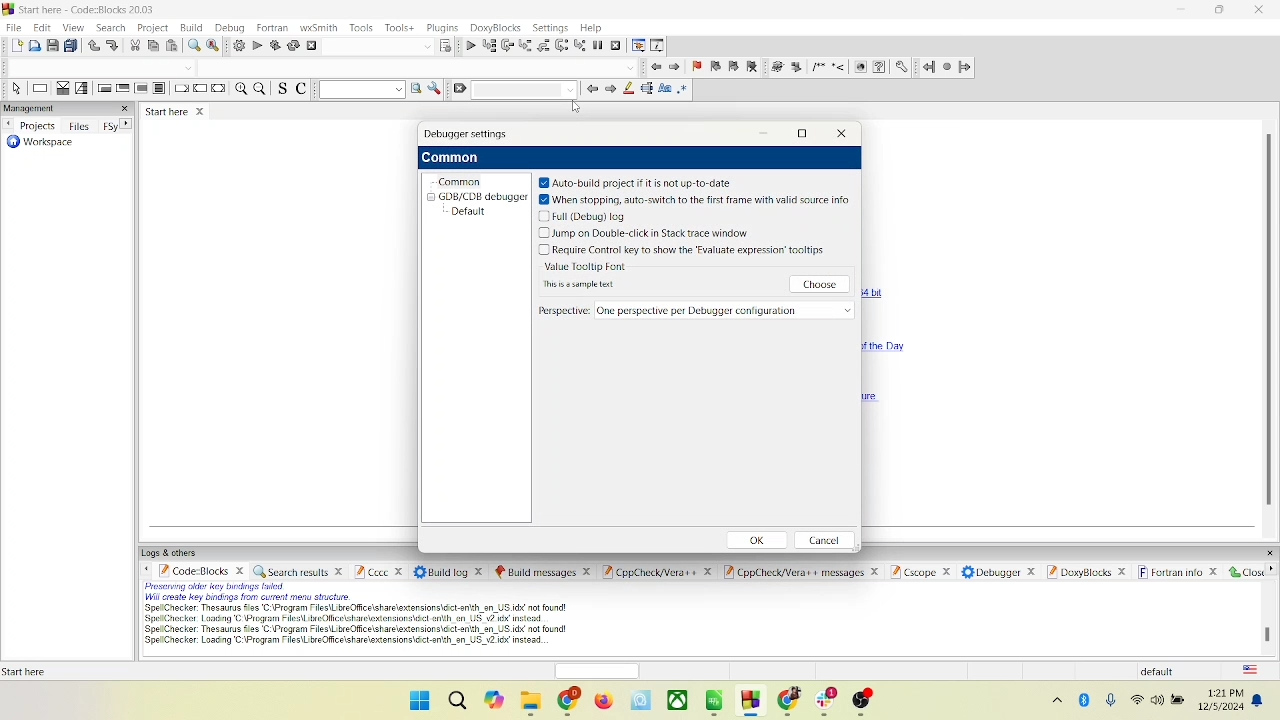  I want to click on selected task, so click(648, 90).